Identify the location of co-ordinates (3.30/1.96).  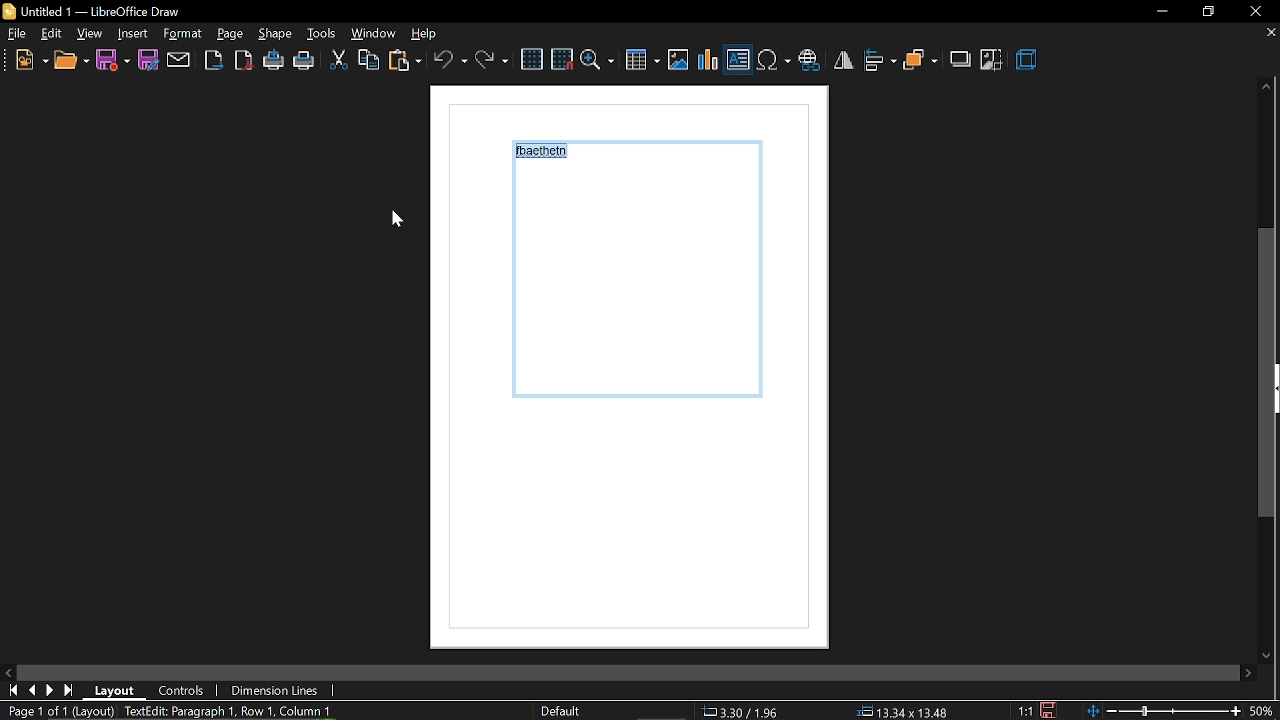
(738, 711).